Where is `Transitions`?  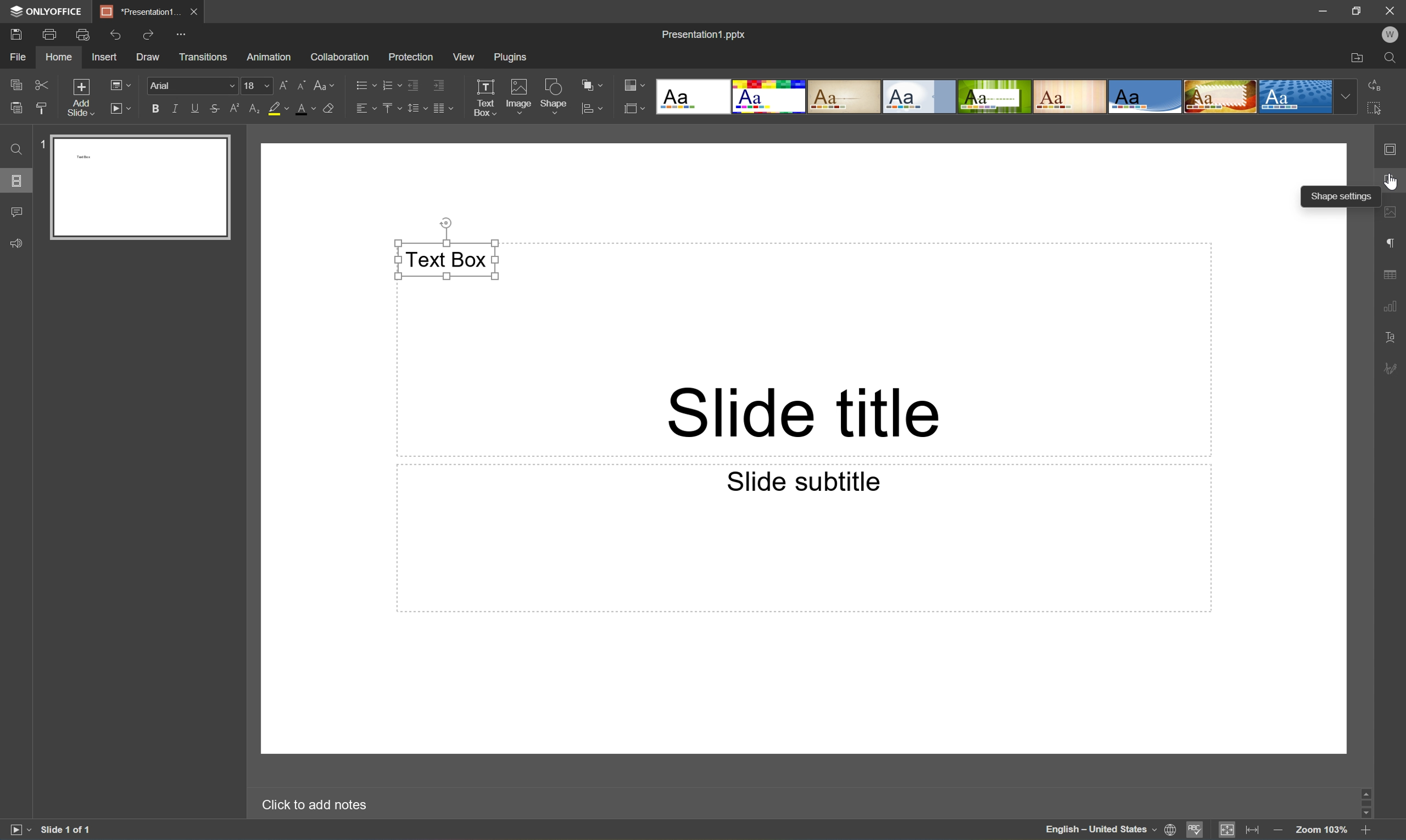
Transitions is located at coordinates (205, 57).